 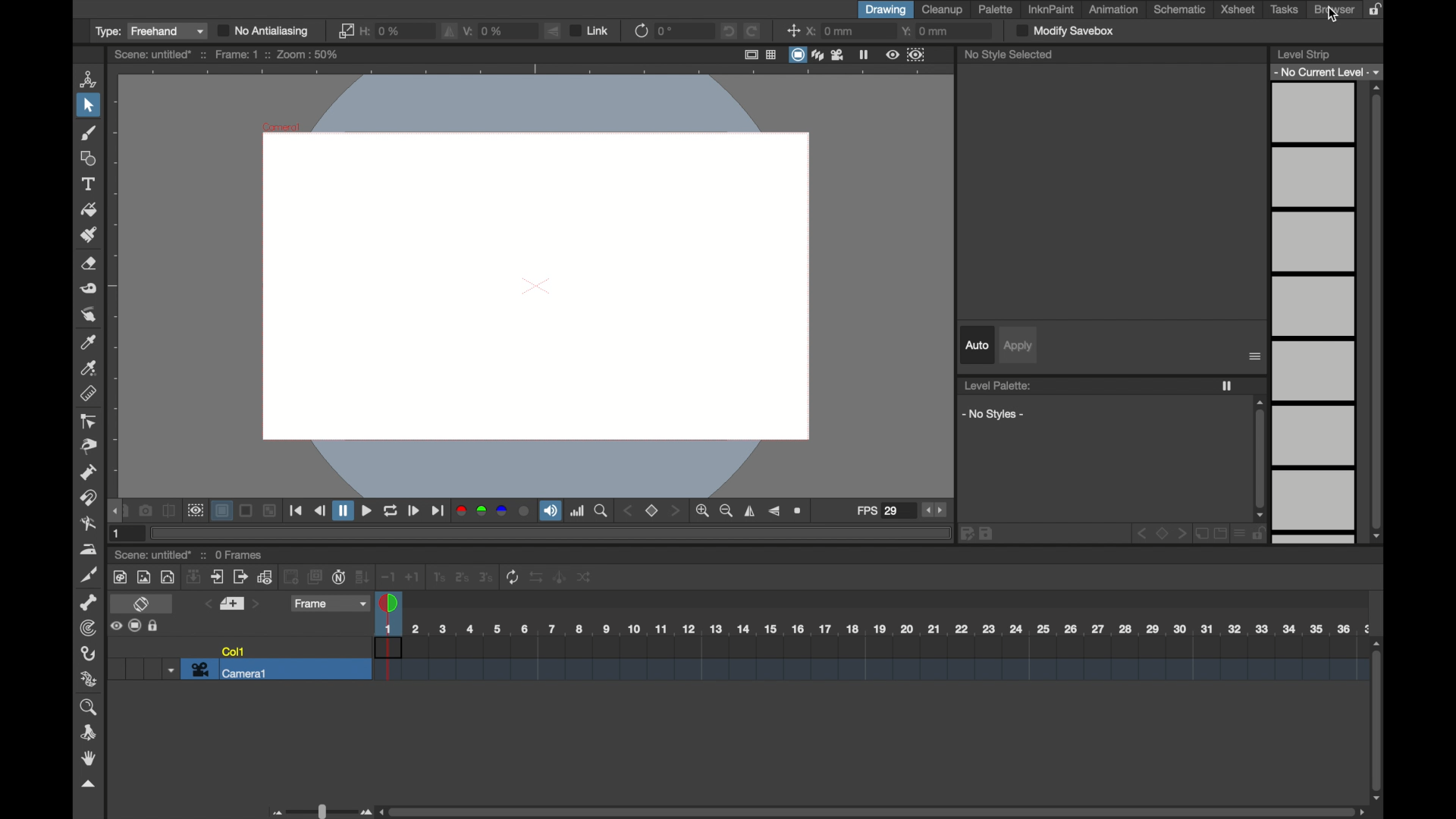 I want to click on layers, so click(x=817, y=55).